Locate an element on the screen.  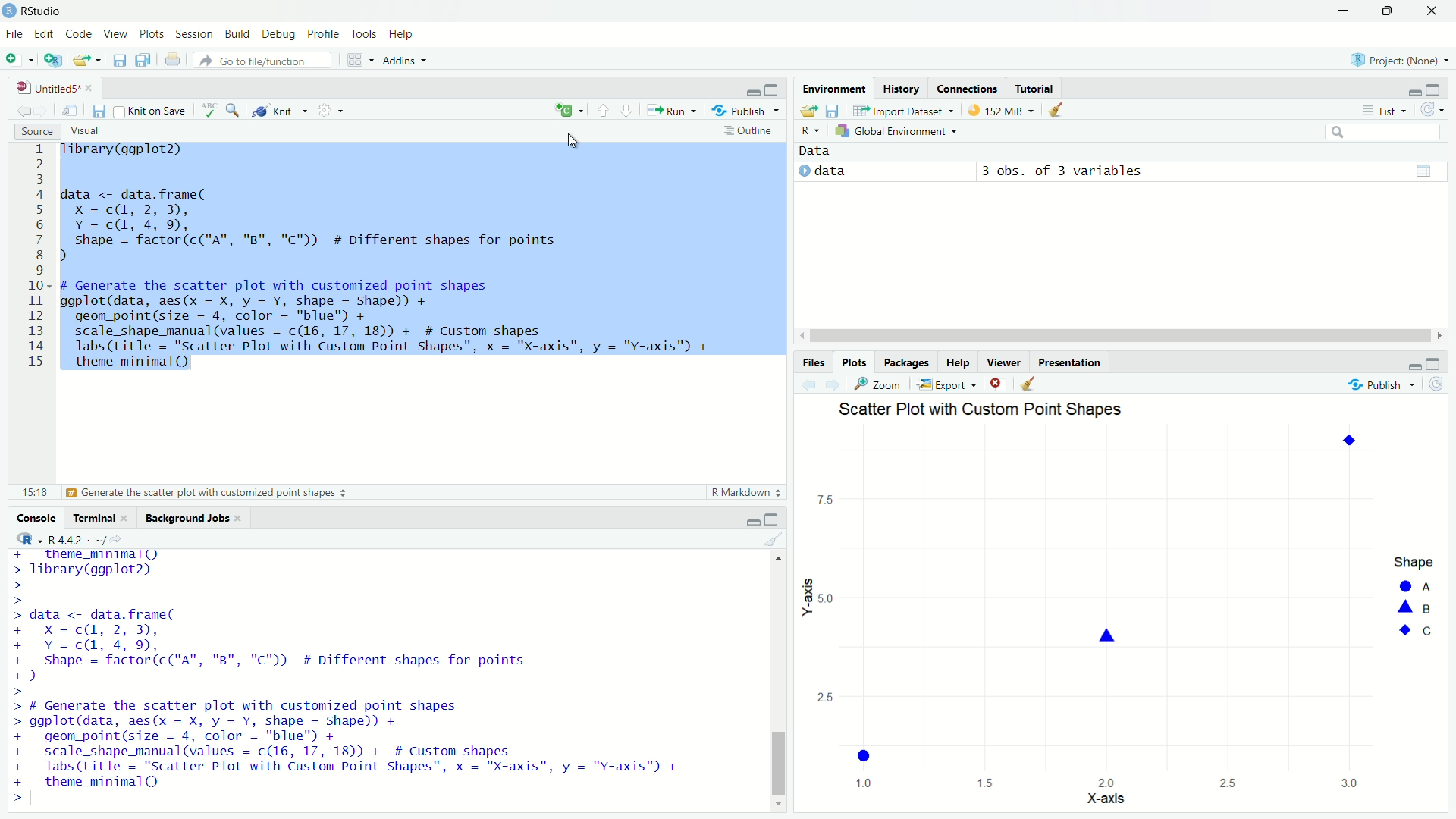
Connections is located at coordinates (966, 87).